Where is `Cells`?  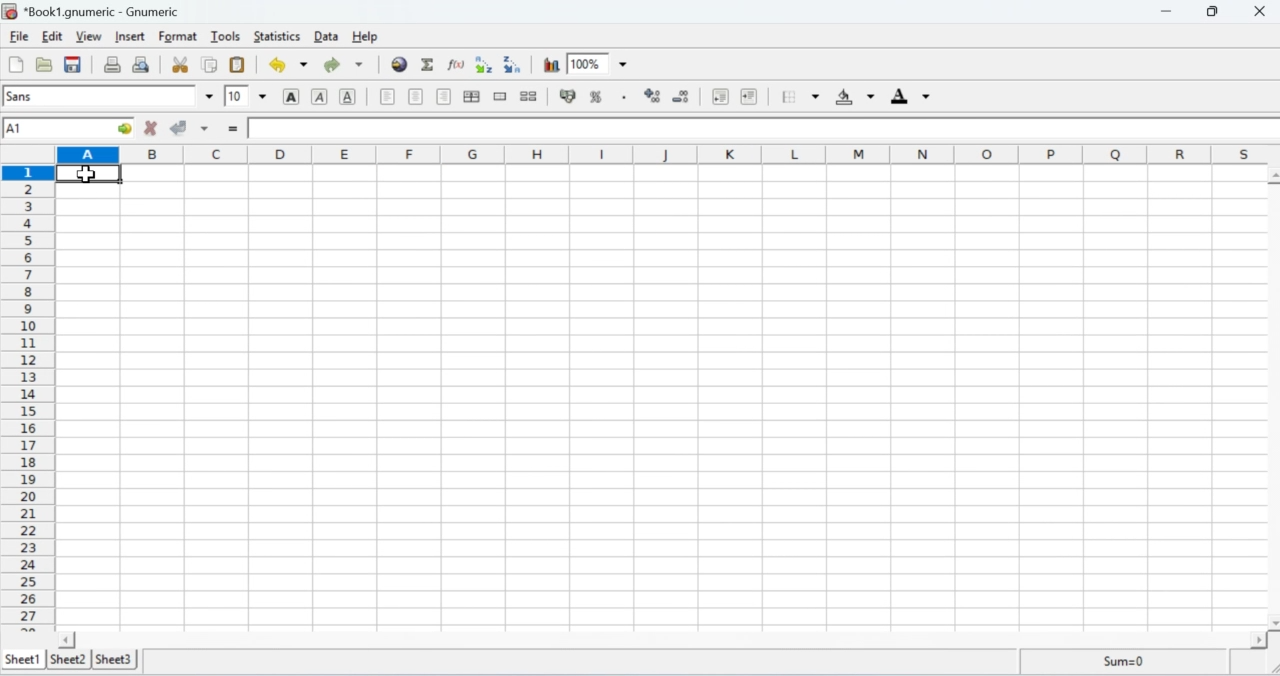
Cells is located at coordinates (651, 396).